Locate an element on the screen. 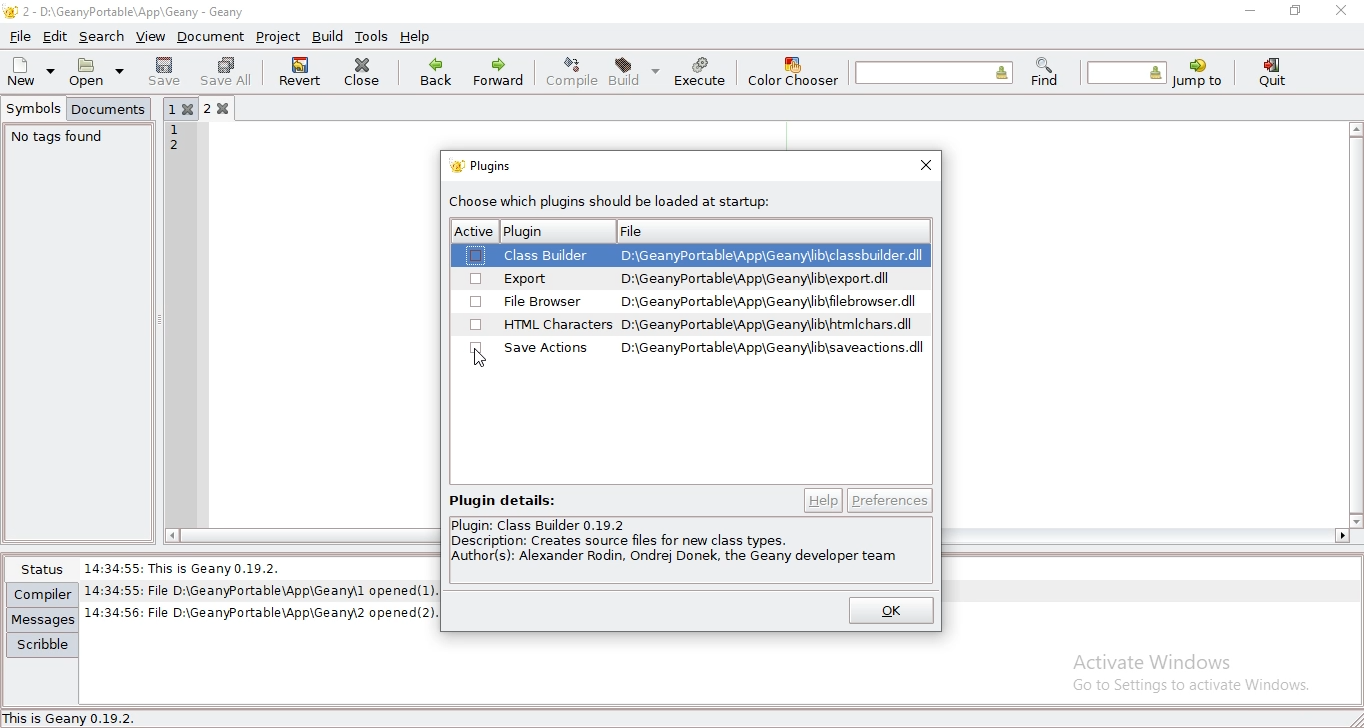 The image size is (1364, 728). color chooser is located at coordinates (795, 71).